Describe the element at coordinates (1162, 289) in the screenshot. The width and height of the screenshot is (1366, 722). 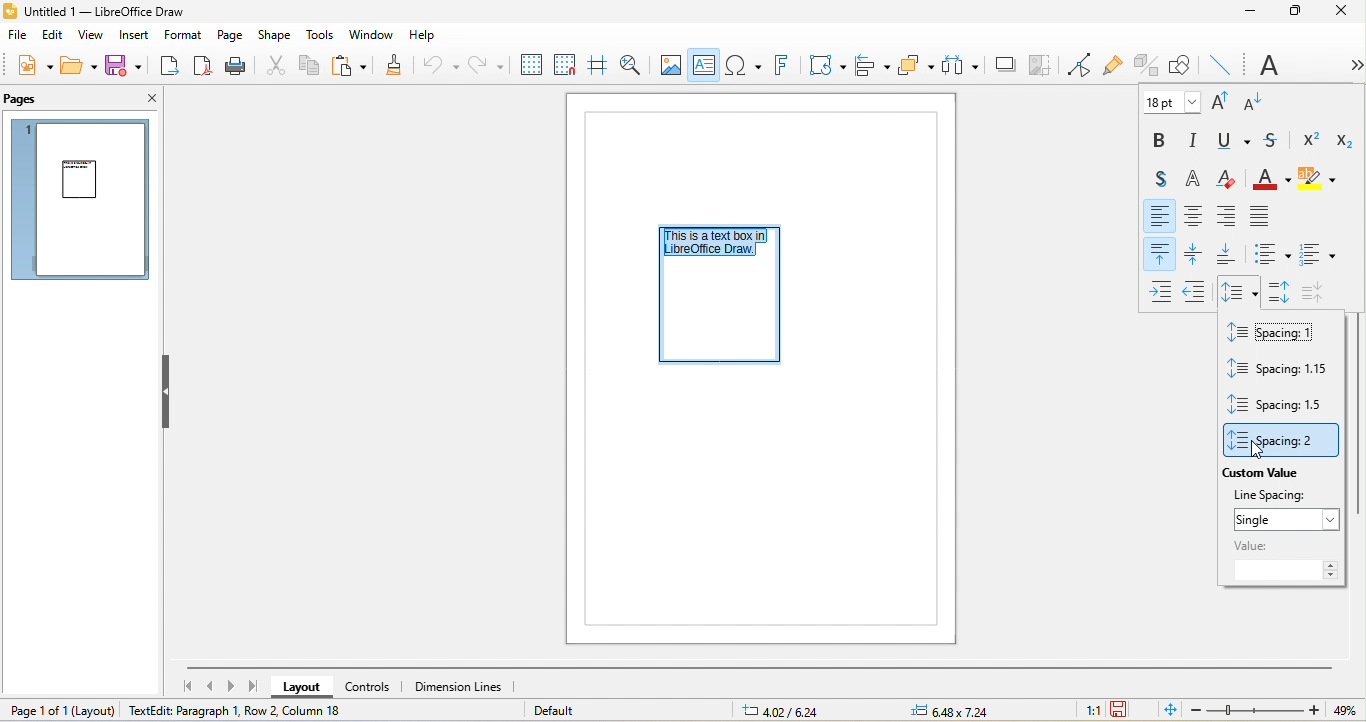
I see `increase indent ` at that location.